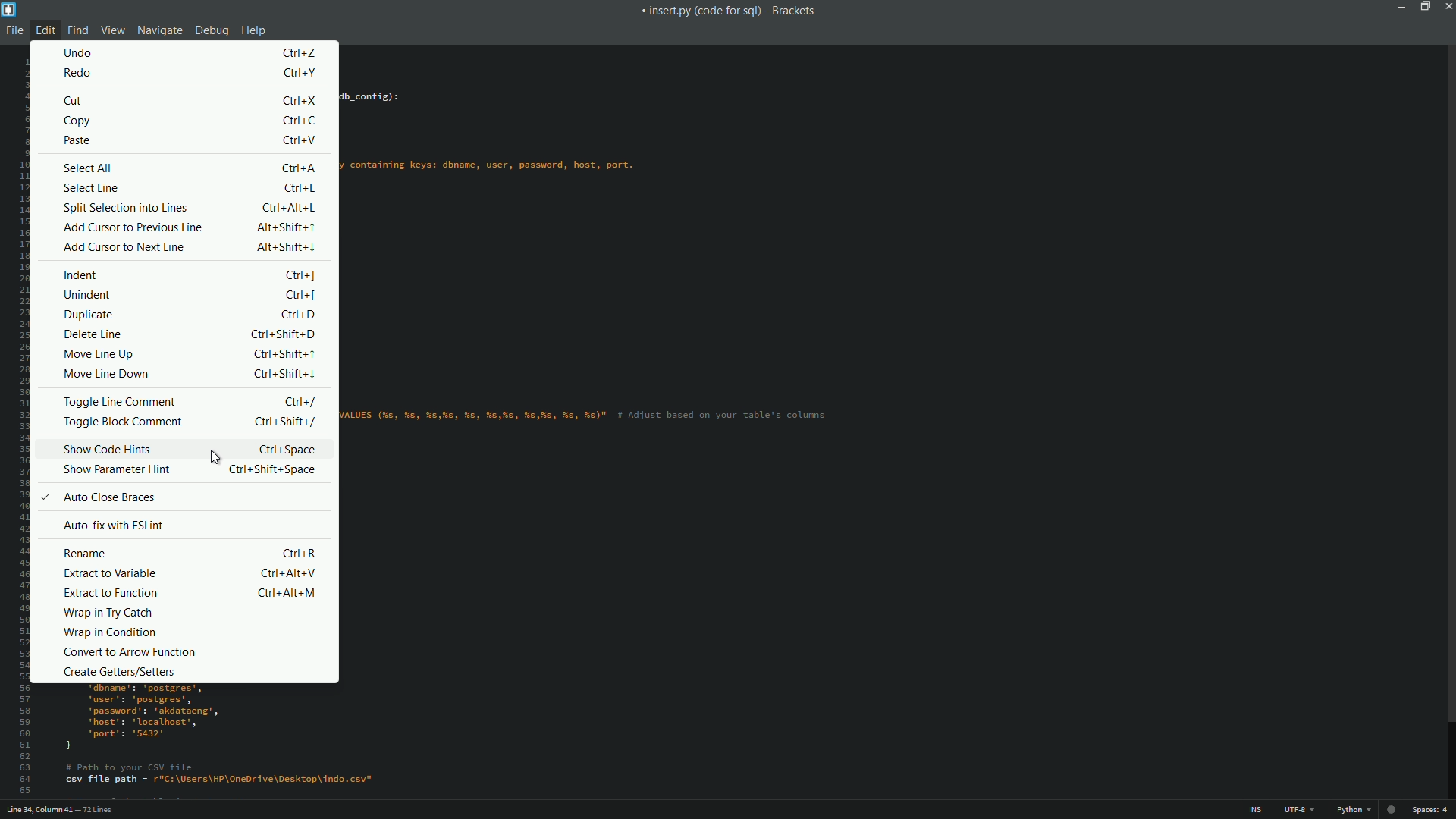 This screenshot has height=819, width=1456. I want to click on keyboard shortcut, so click(306, 293).